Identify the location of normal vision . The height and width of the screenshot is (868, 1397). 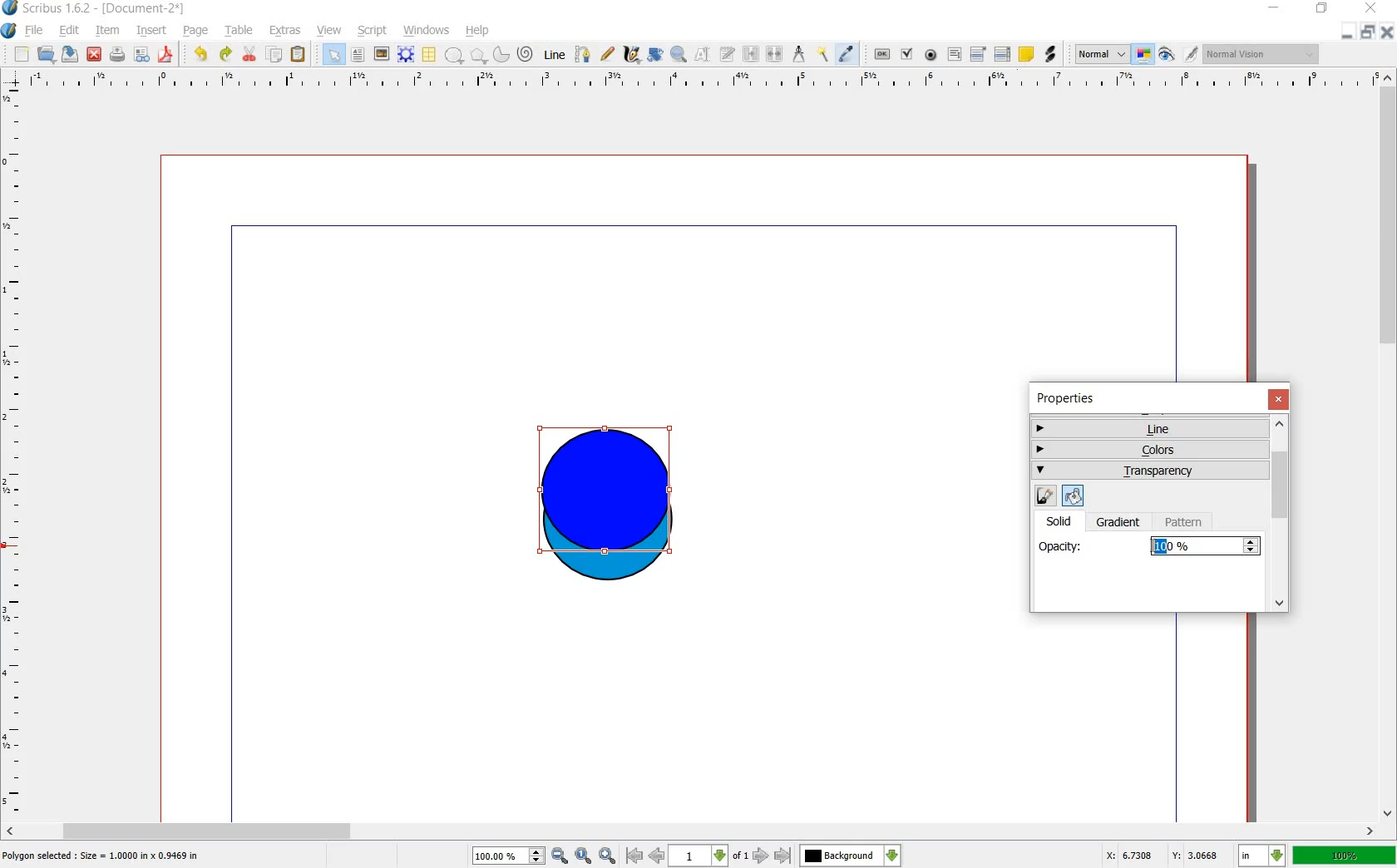
(1261, 55).